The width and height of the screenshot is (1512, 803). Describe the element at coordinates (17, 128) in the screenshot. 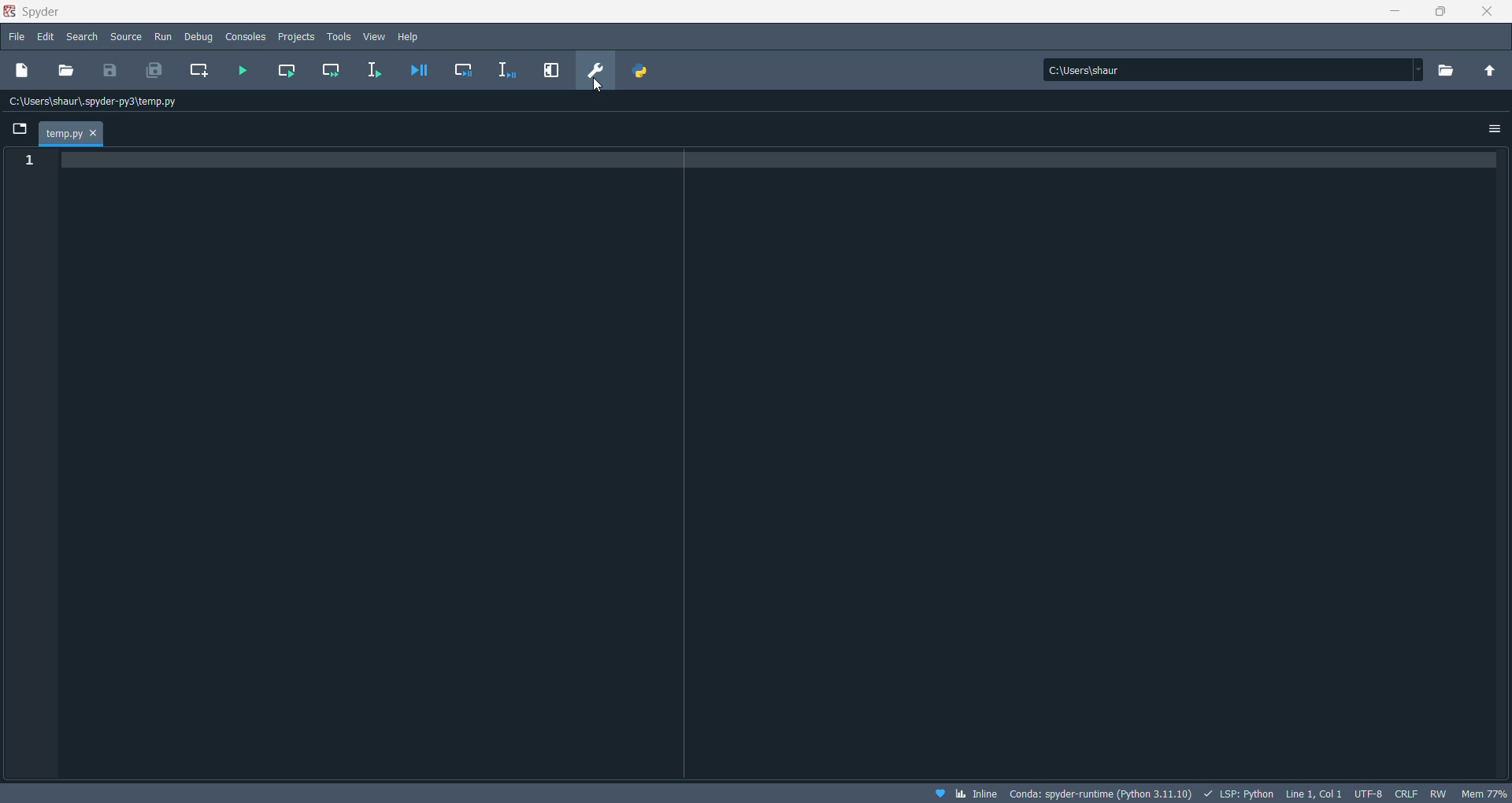

I see `screen` at that location.